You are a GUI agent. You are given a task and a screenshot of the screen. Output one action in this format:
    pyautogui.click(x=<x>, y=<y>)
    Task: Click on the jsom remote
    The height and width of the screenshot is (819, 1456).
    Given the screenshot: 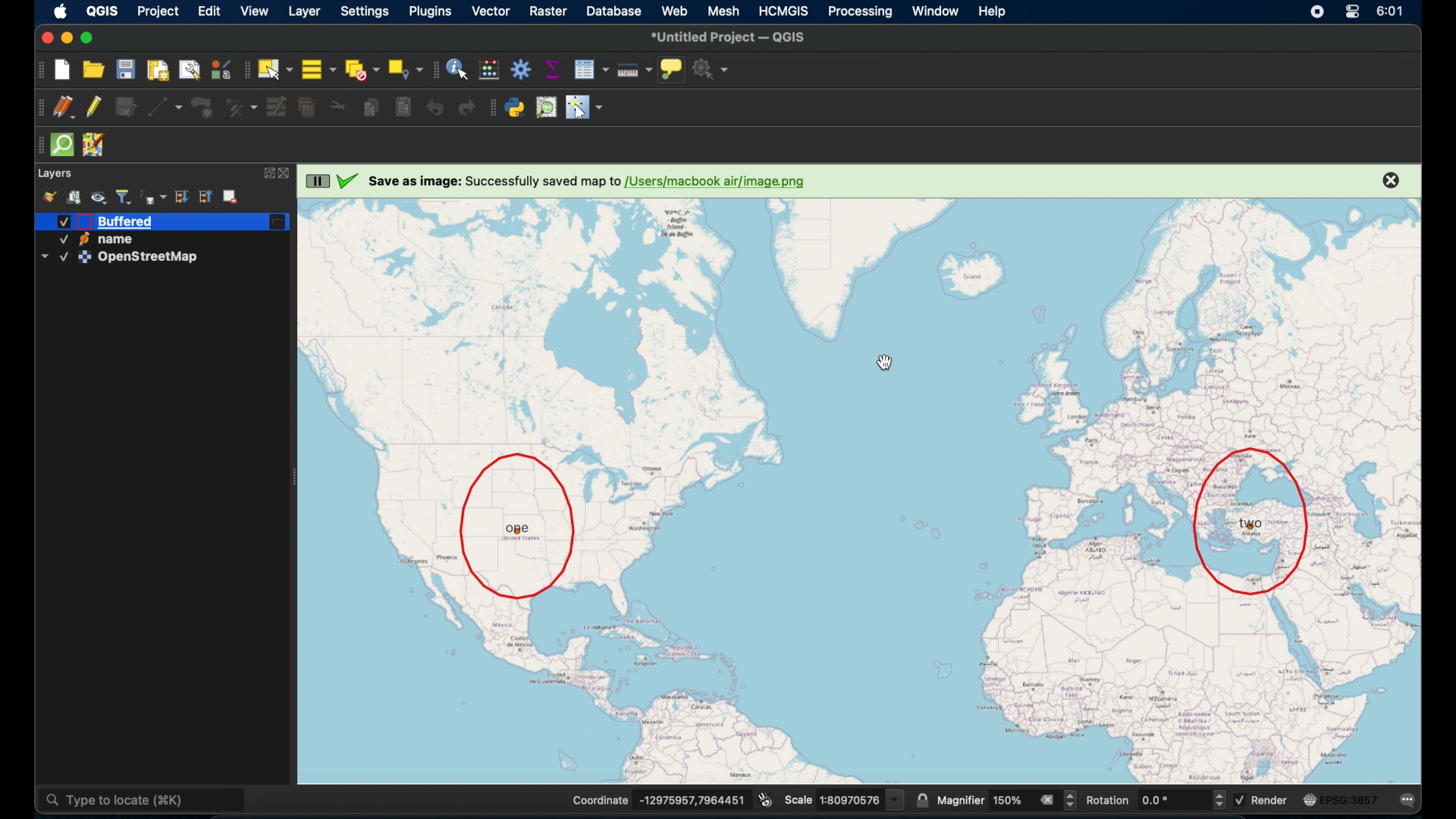 What is the action you would take?
    pyautogui.click(x=93, y=146)
    